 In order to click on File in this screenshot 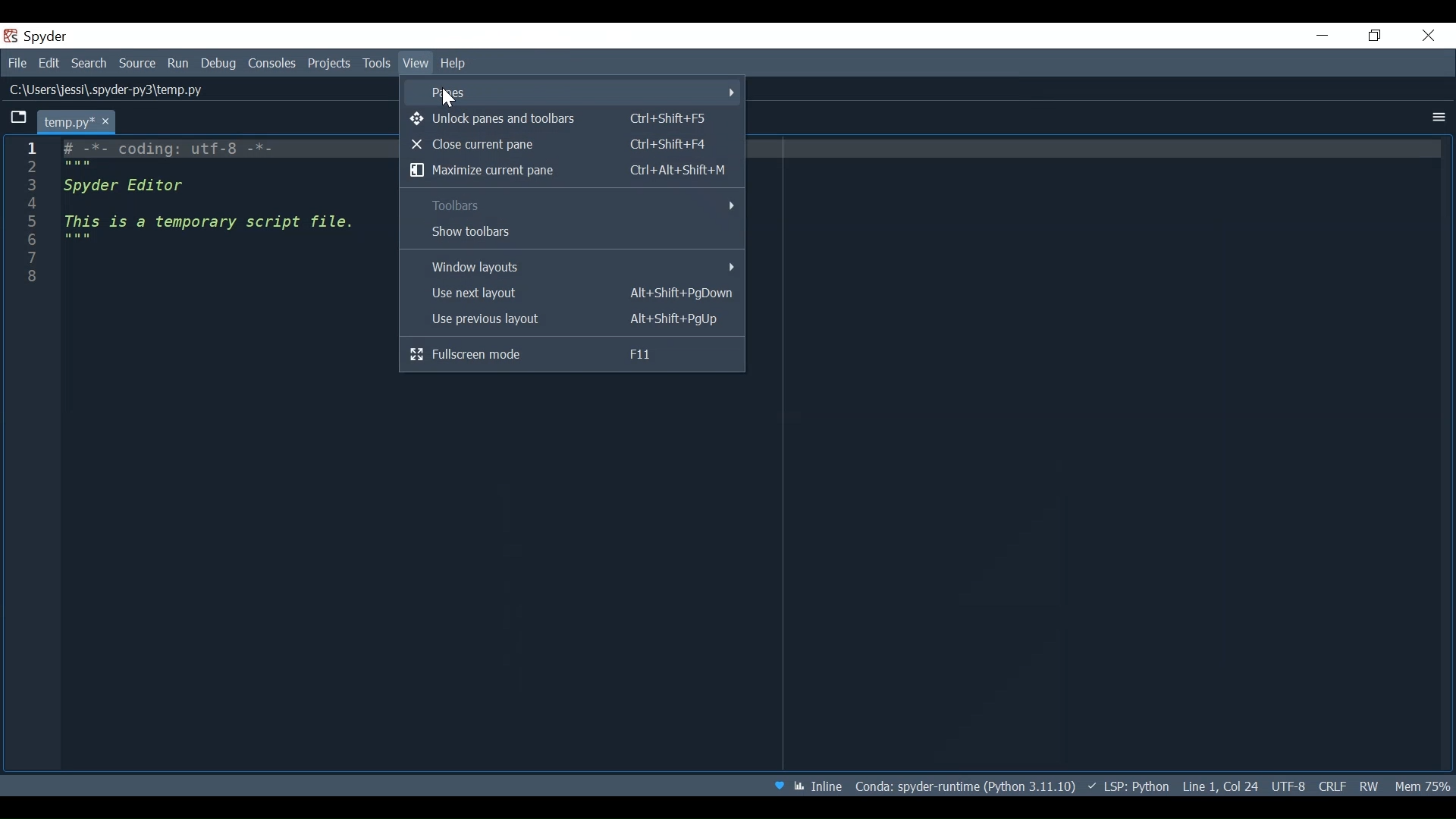, I will do `click(15, 62)`.